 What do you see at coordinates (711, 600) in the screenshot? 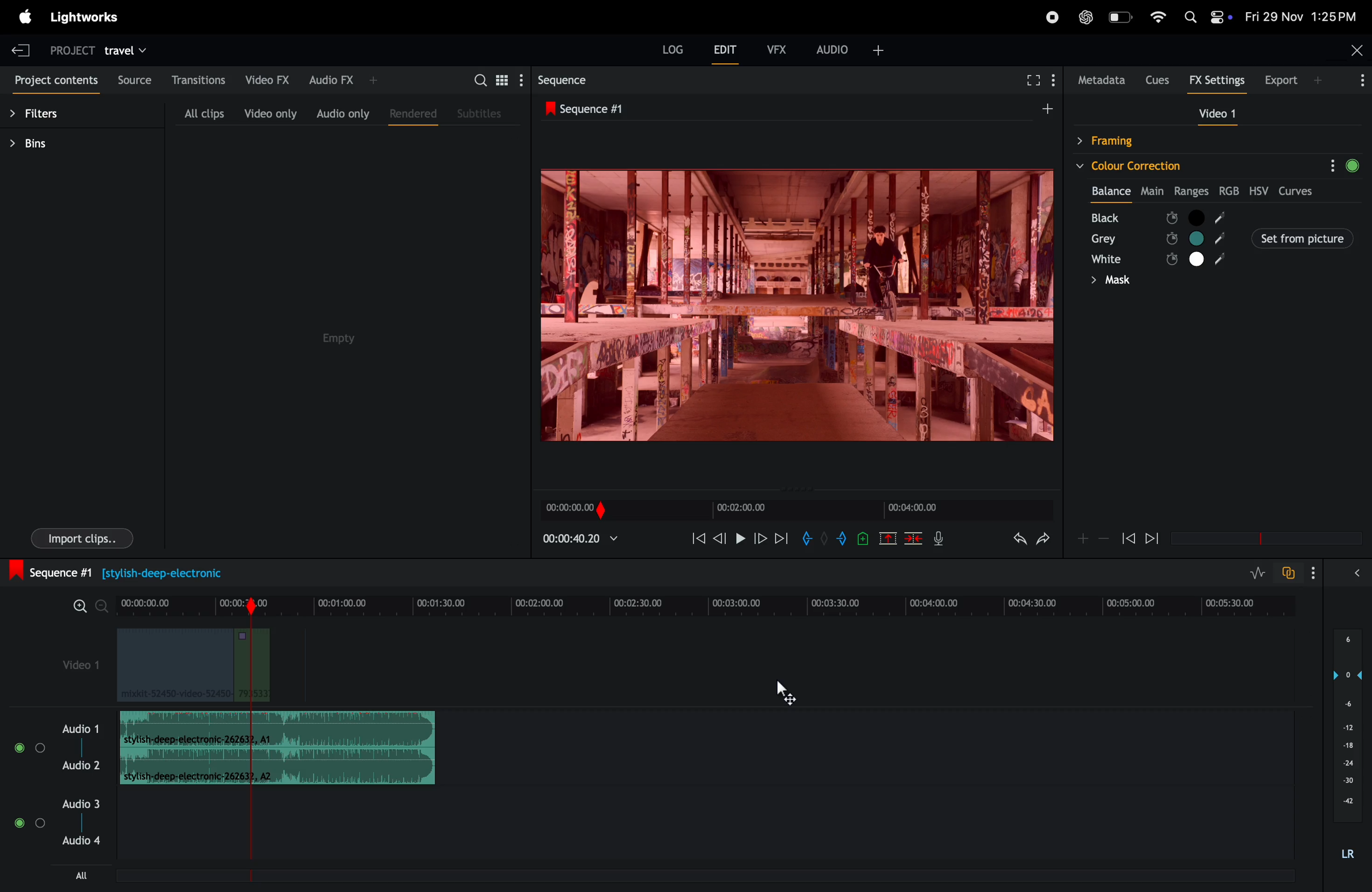
I see `time frame` at bounding box center [711, 600].